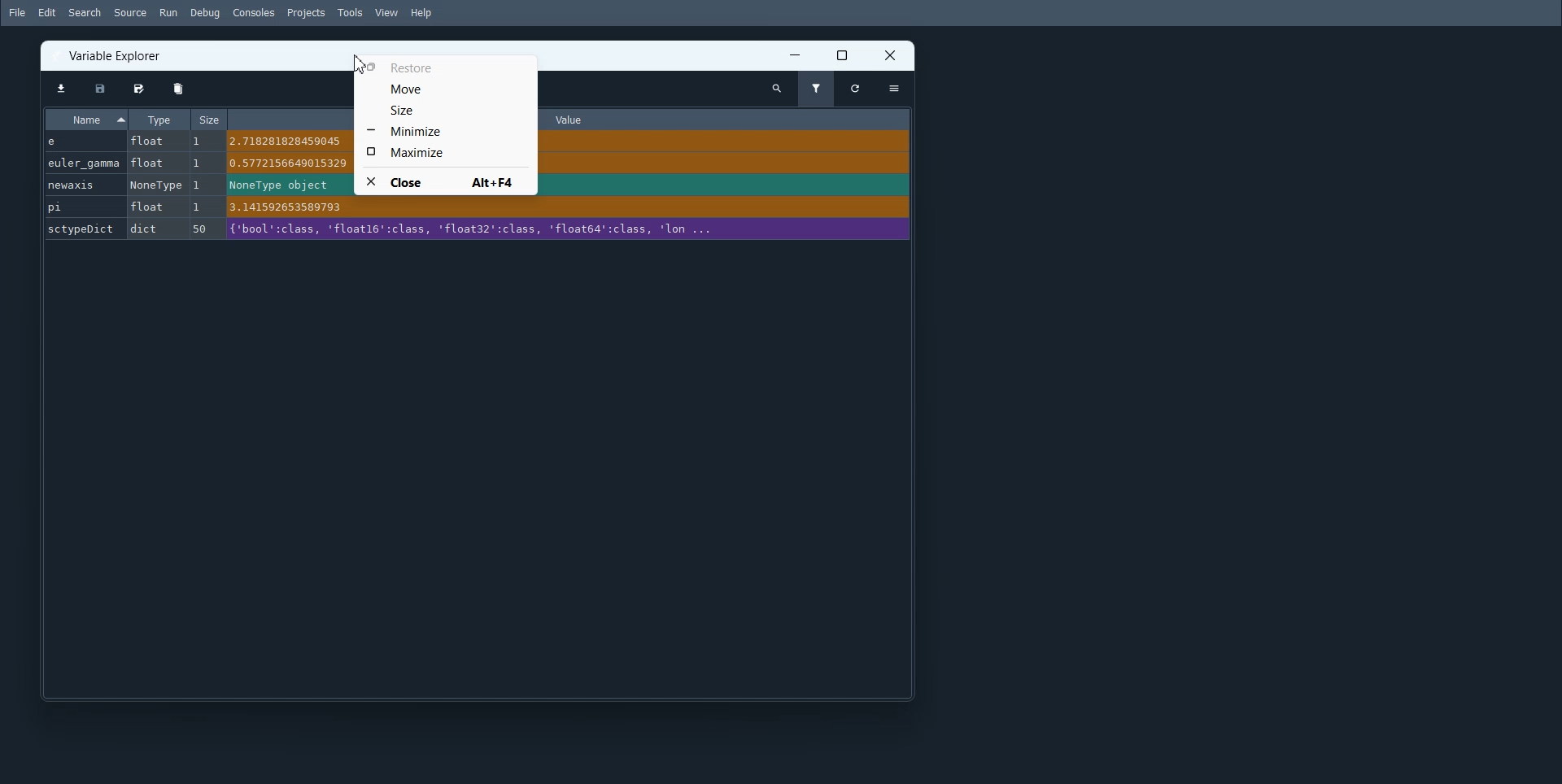 The width and height of the screenshot is (1562, 784). What do you see at coordinates (284, 141) in the screenshot?
I see `2.718281828459045` at bounding box center [284, 141].